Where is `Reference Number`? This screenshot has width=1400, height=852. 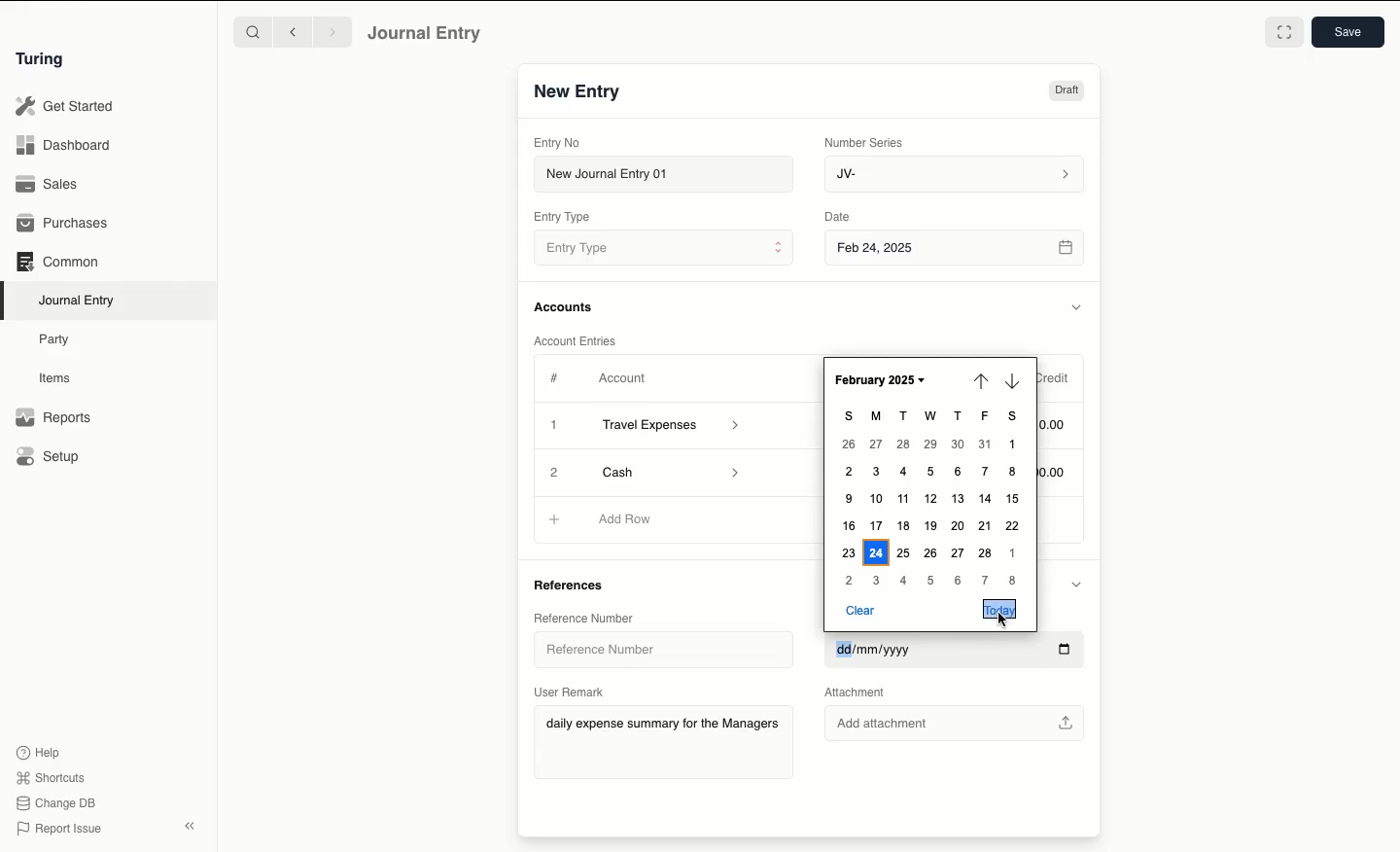 Reference Number is located at coordinates (651, 648).